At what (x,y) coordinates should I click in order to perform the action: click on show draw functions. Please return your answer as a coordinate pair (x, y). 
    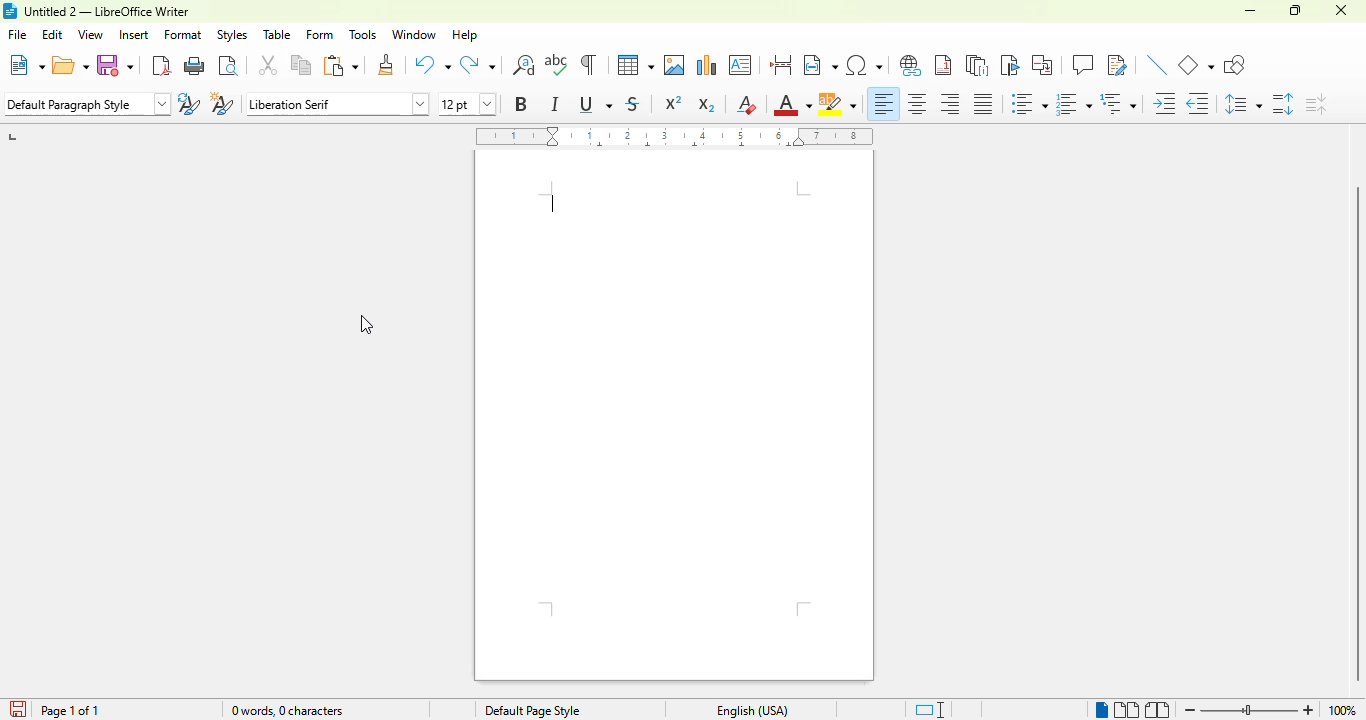
    Looking at the image, I should click on (1235, 65).